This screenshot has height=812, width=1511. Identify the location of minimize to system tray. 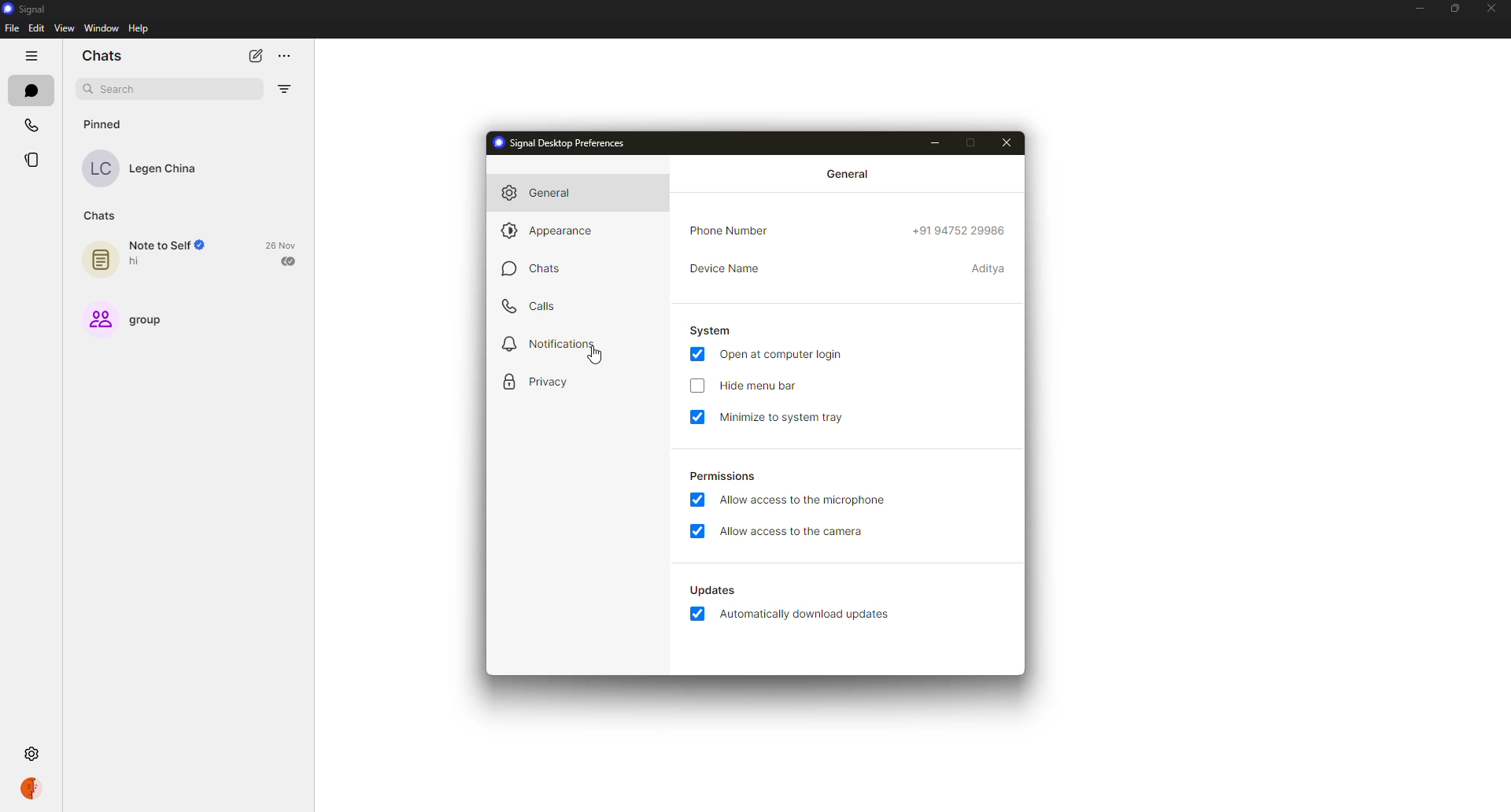
(789, 416).